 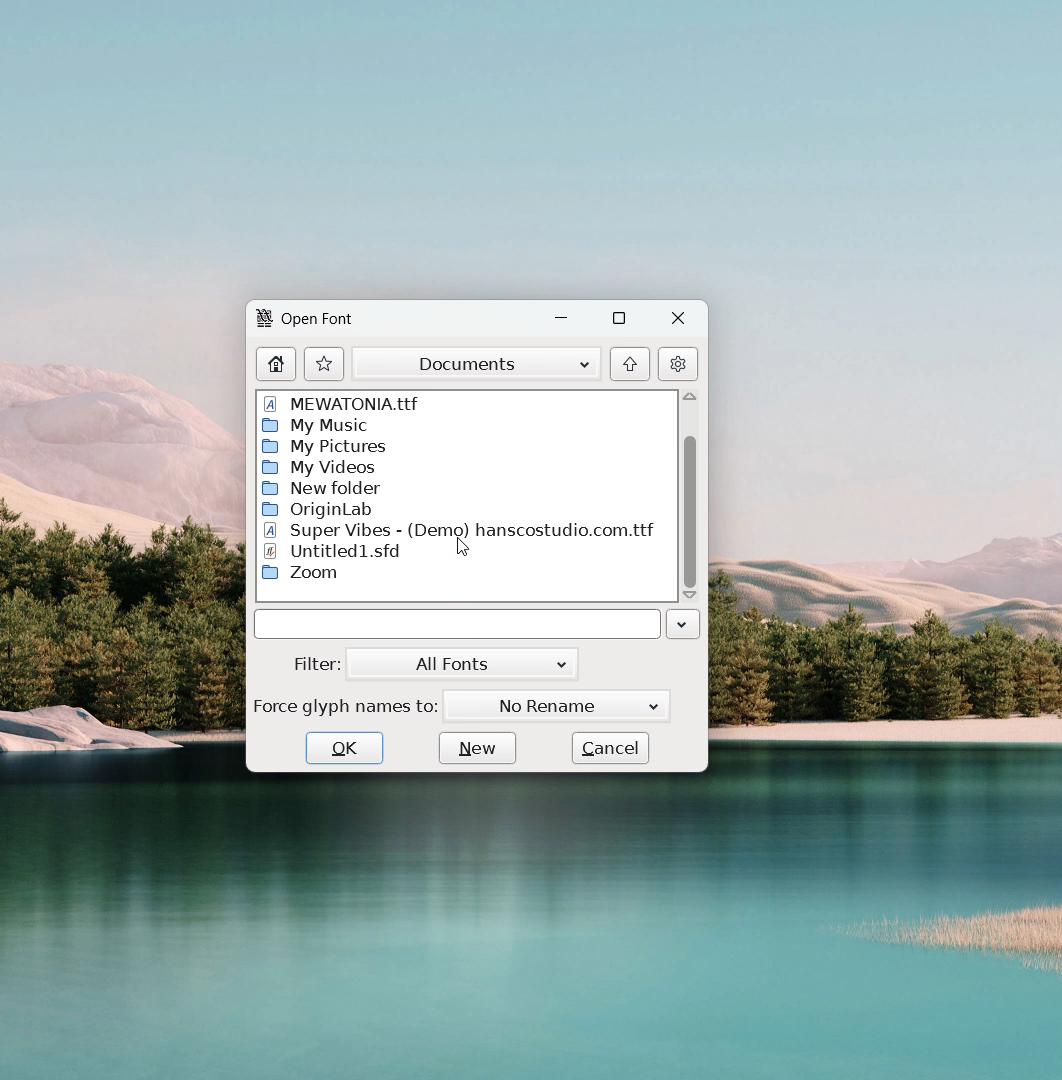 I want to click on cursor, so click(x=463, y=547).